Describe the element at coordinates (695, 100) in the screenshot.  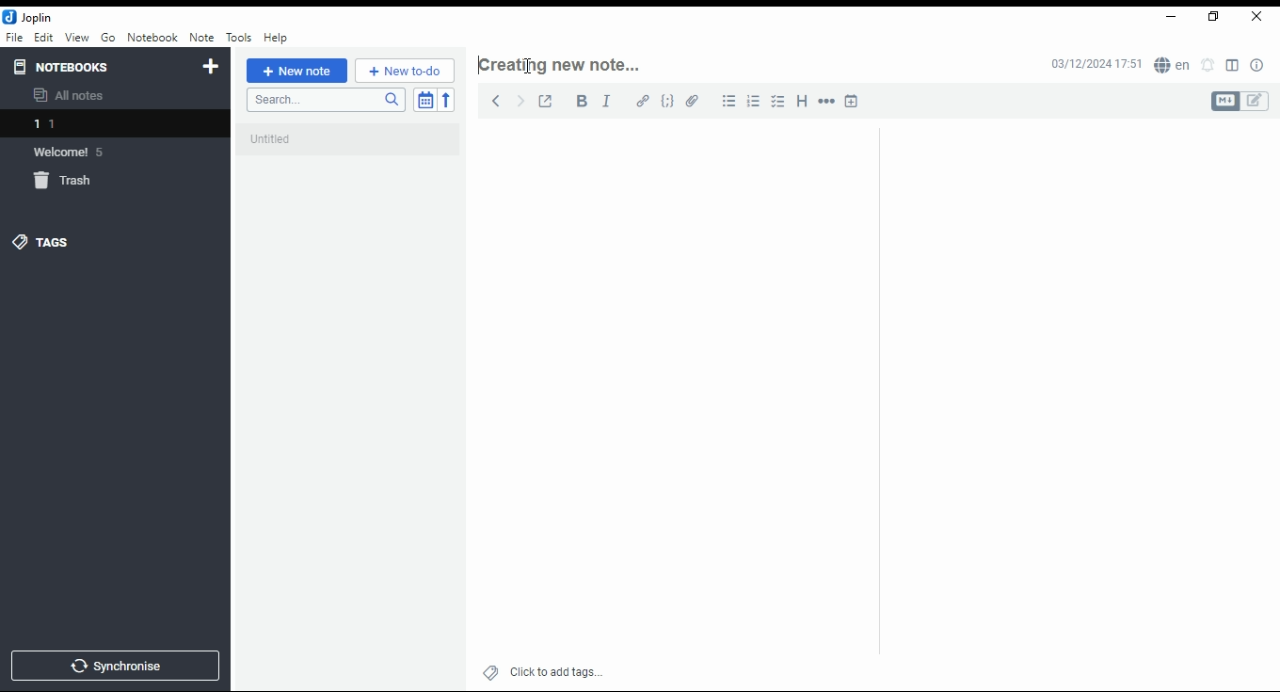
I see `attach file` at that location.